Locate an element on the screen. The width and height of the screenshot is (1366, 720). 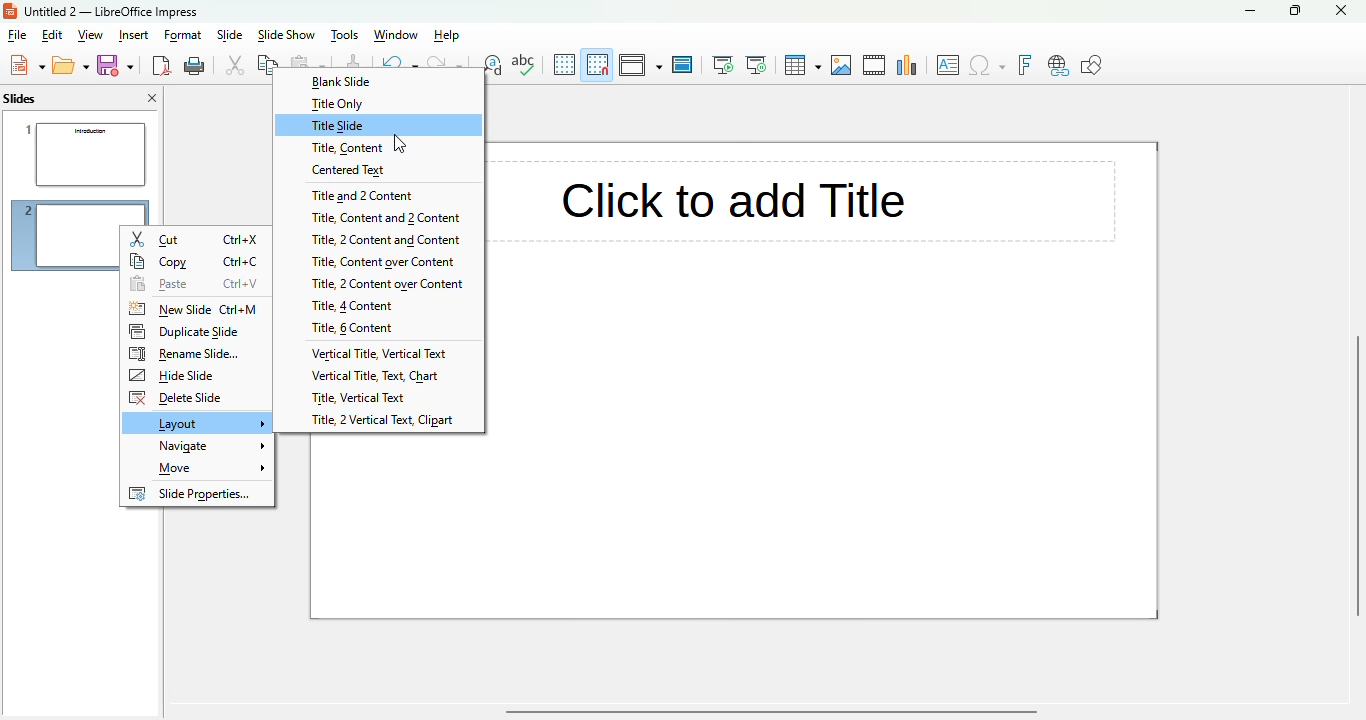
title, 2 vertical text, clipart is located at coordinates (380, 421).